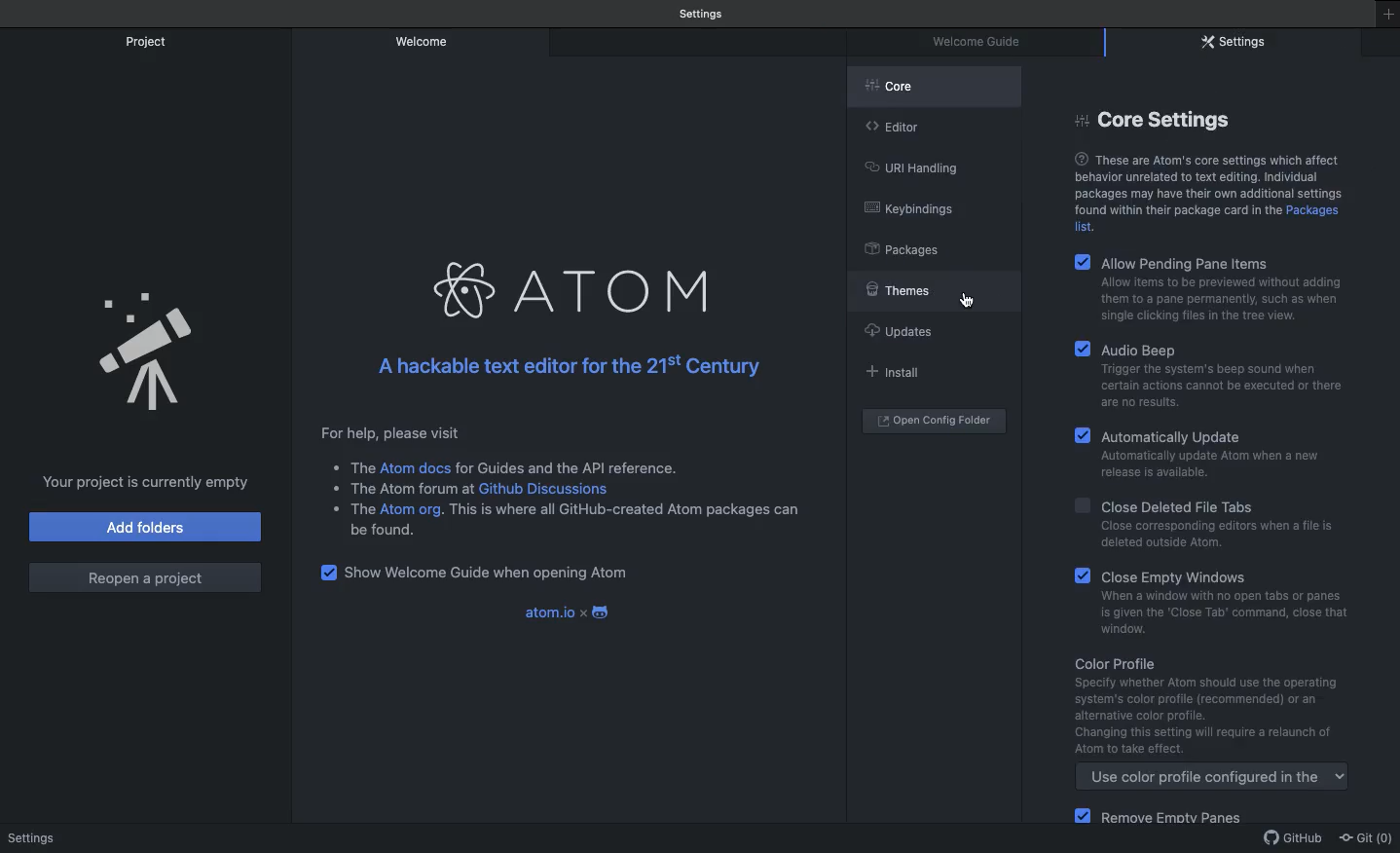 The image size is (1400, 853). What do you see at coordinates (147, 575) in the screenshot?
I see `Reopen a project` at bounding box center [147, 575].